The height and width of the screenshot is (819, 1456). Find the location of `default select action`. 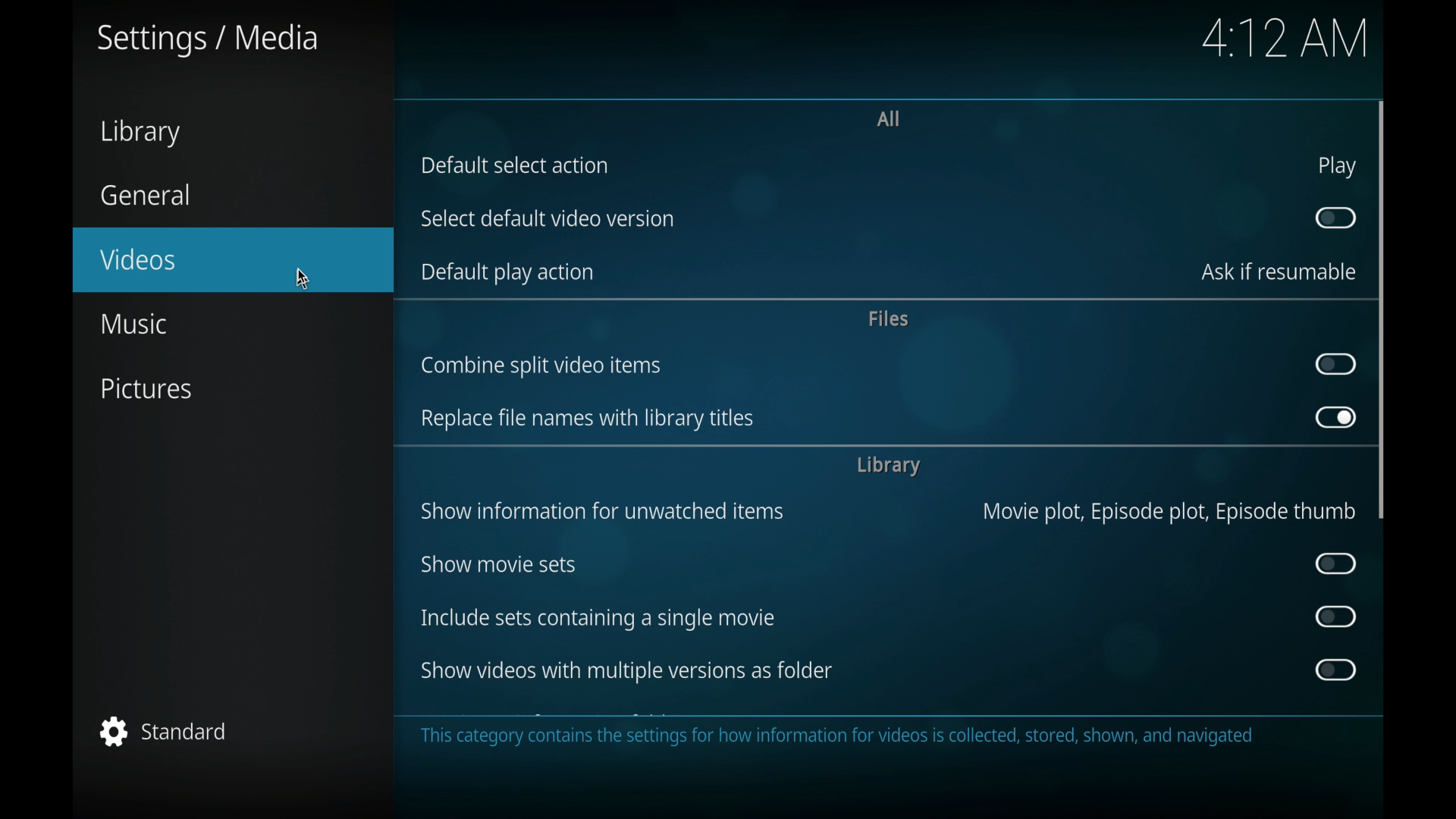

default select action is located at coordinates (516, 165).